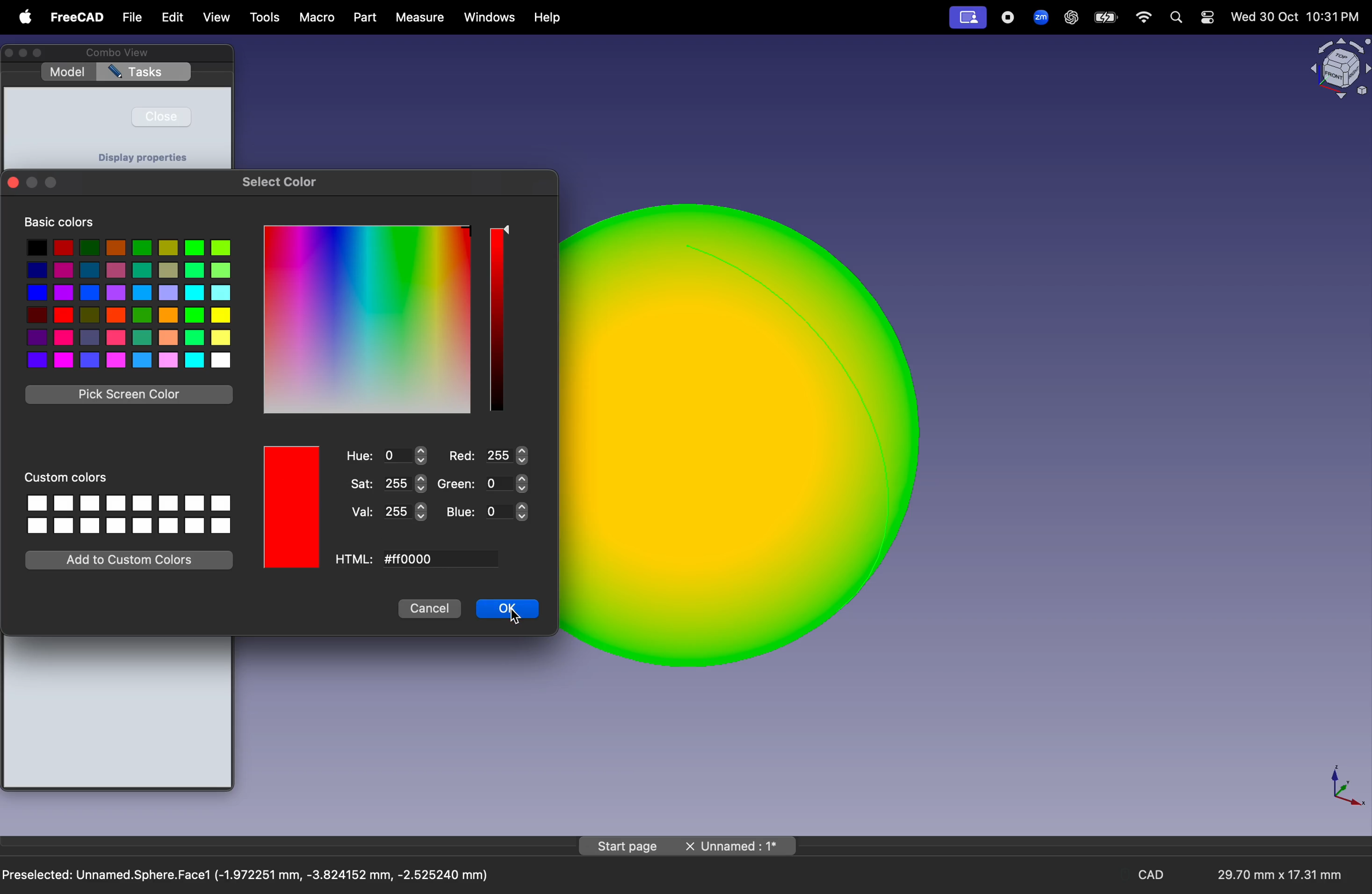  What do you see at coordinates (517, 618) in the screenshot?
I see `cursor` at bounding box center [517, 618].